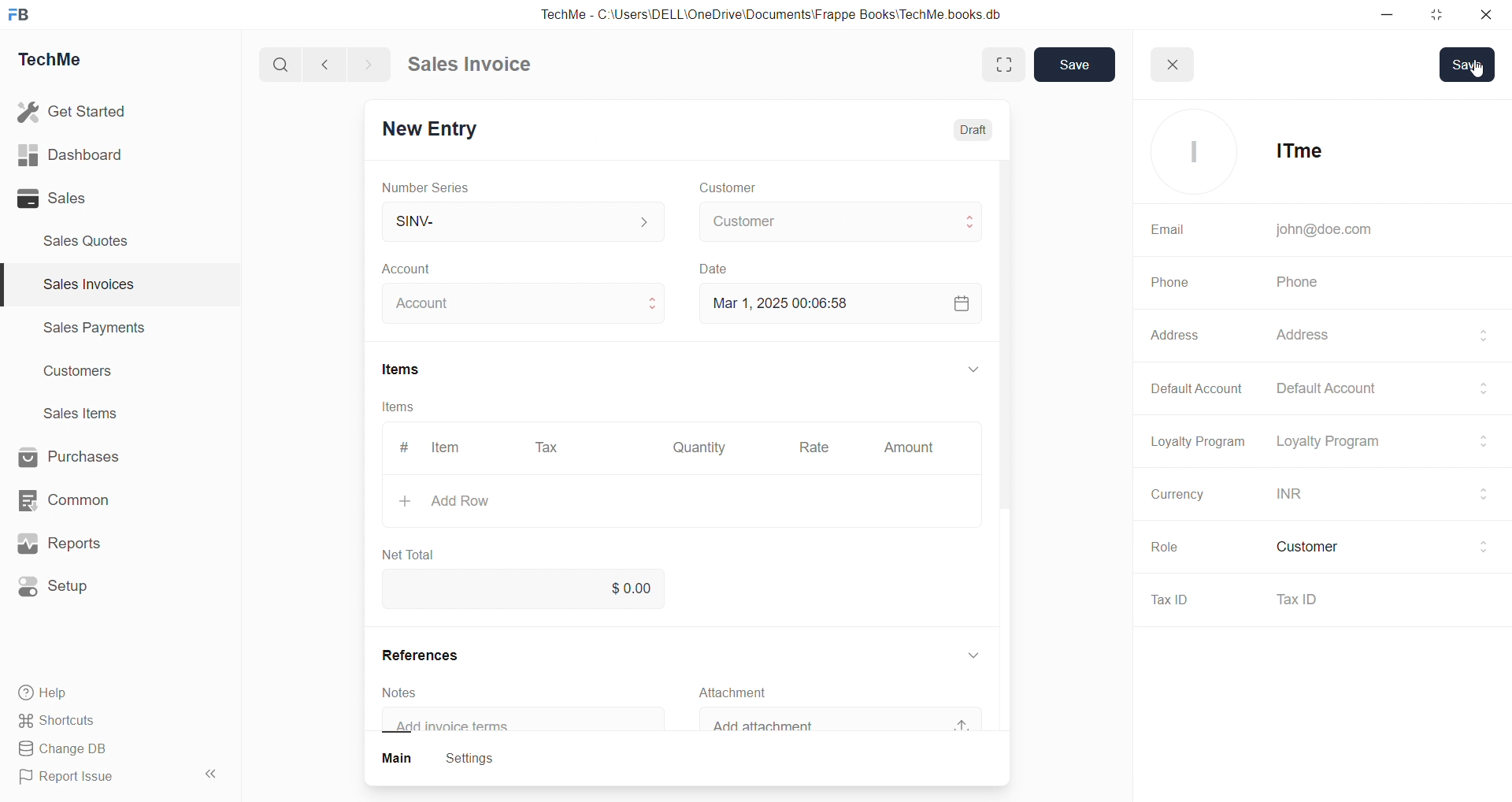 The image size is (1512, 802). Describe the element at coordinates (976, 370) in the screenshot. I see `doopdown` at that location.